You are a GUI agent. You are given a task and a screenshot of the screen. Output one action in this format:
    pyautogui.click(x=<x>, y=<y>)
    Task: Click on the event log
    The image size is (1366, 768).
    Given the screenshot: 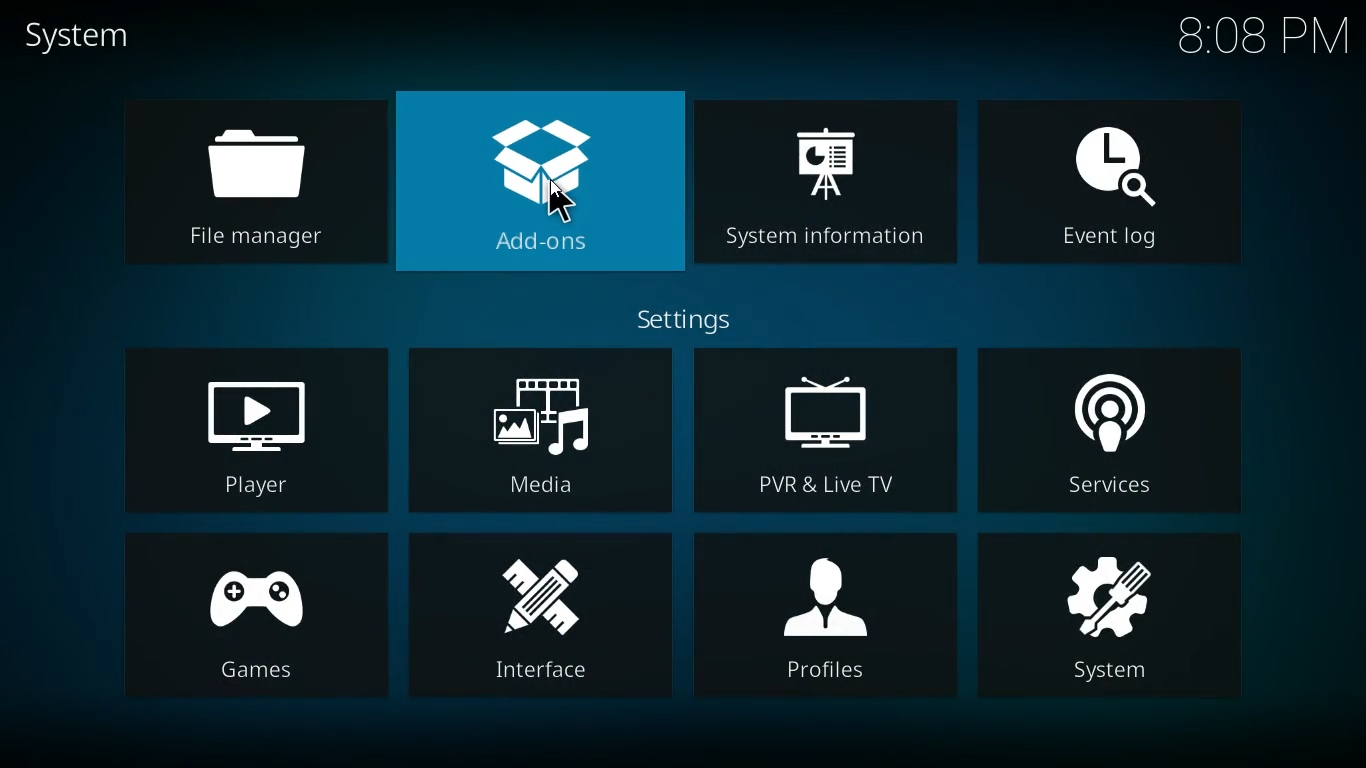 What is the action you would take?
    pyautogui.click(x=1112, y=178)
    